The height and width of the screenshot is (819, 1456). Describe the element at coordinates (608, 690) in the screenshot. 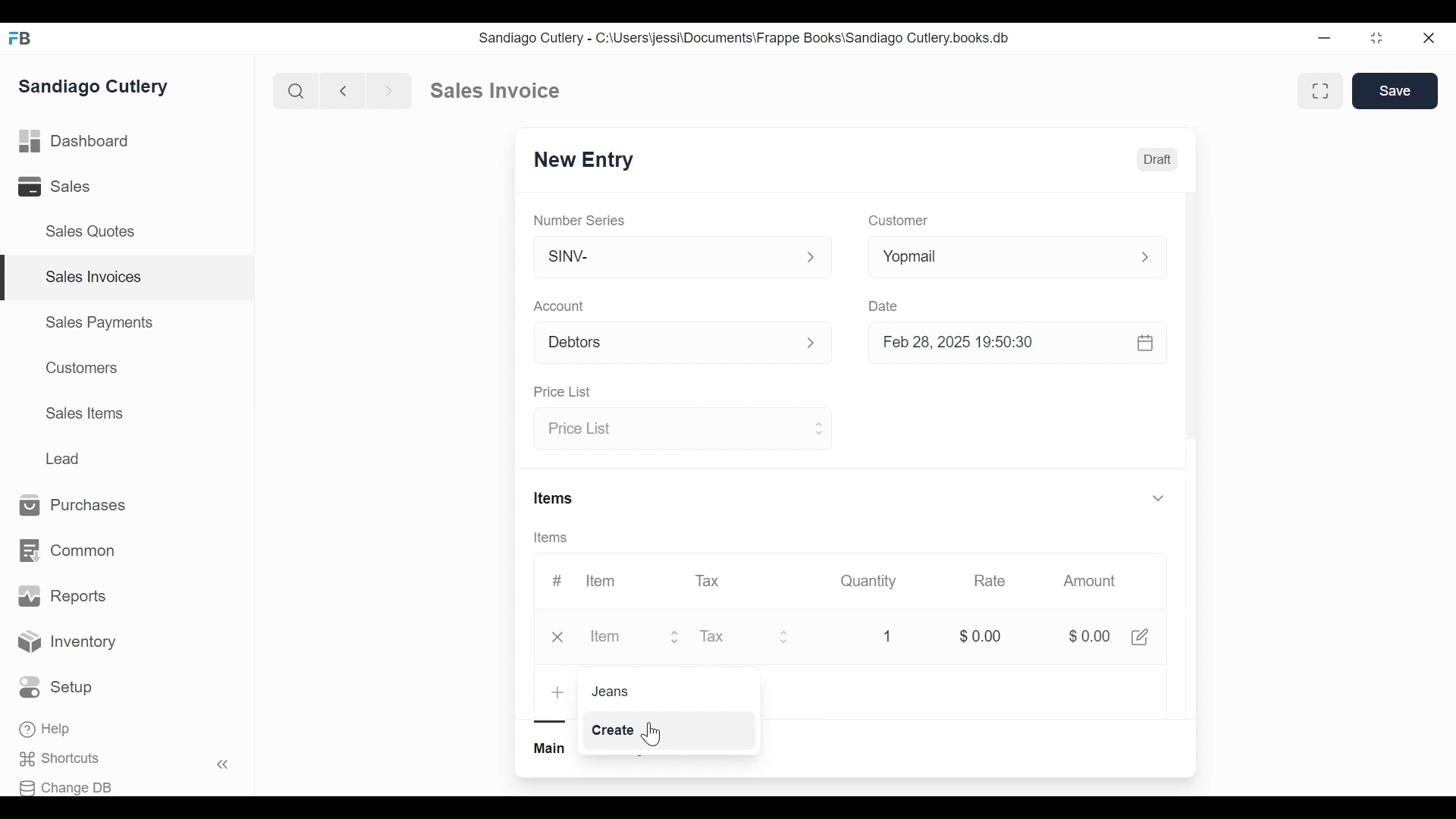

I see `Jeans` at that location.